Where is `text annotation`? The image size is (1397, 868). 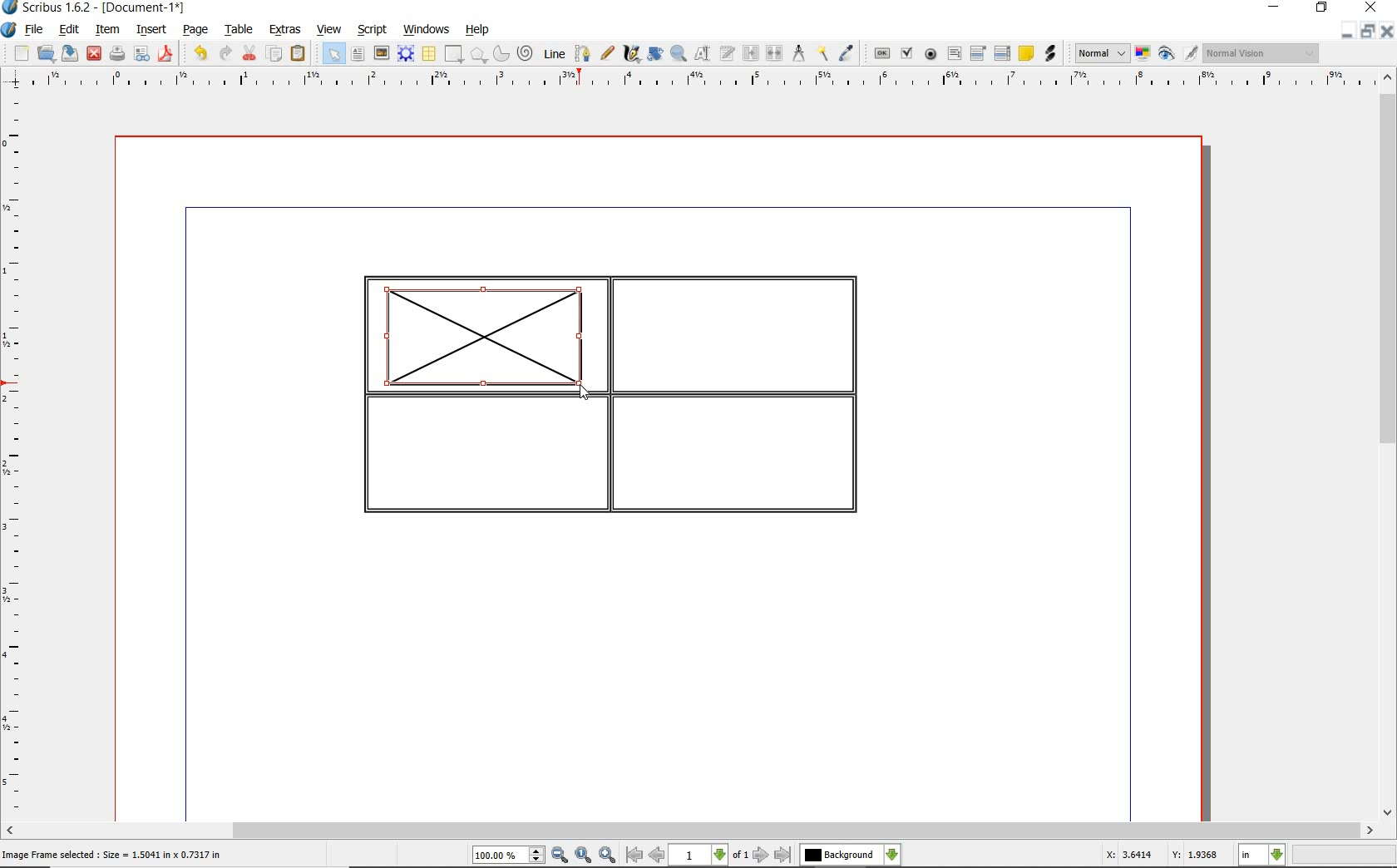 text annotation is located at coordinates (1027, 54).